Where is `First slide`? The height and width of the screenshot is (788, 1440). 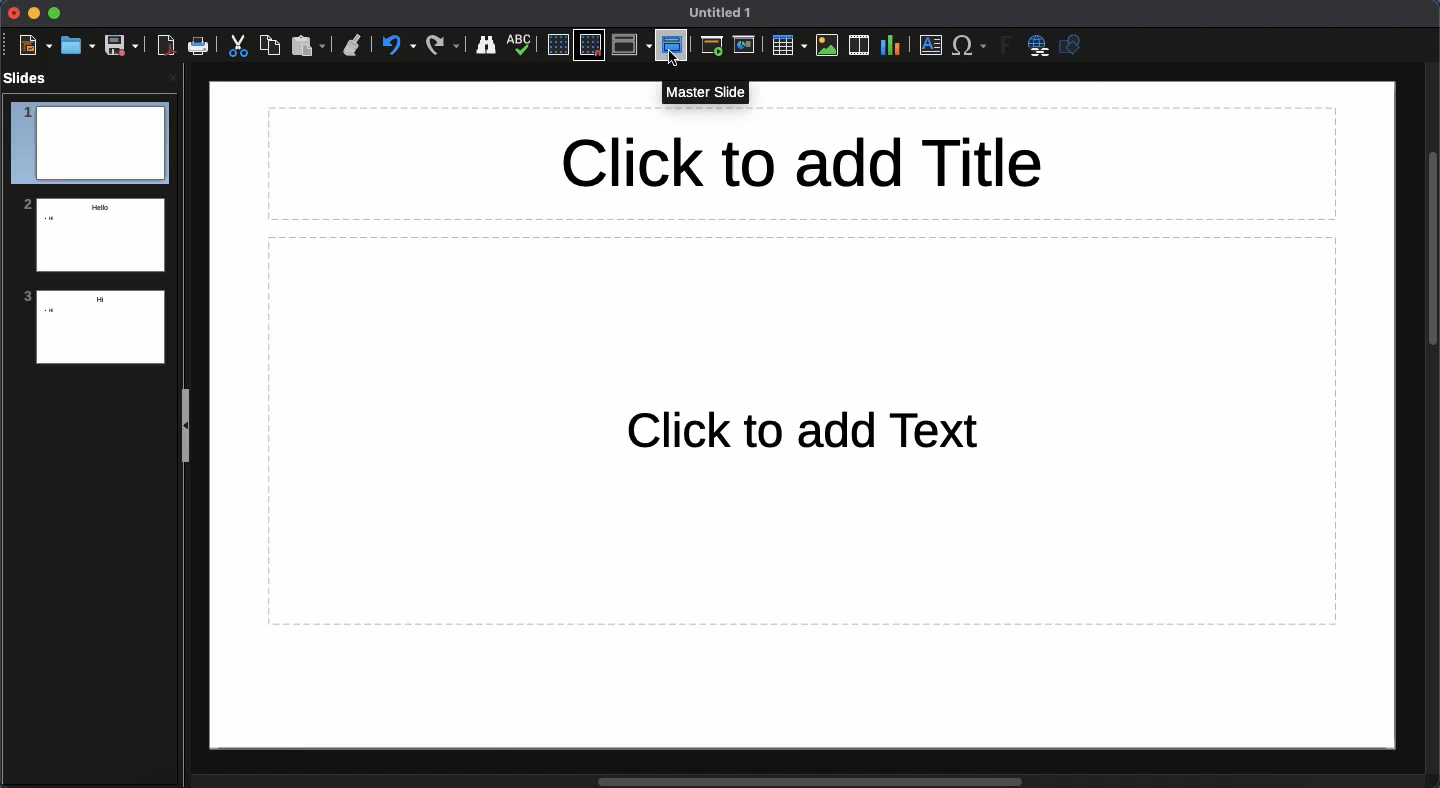 First slide is located at coordinates (714, 46).